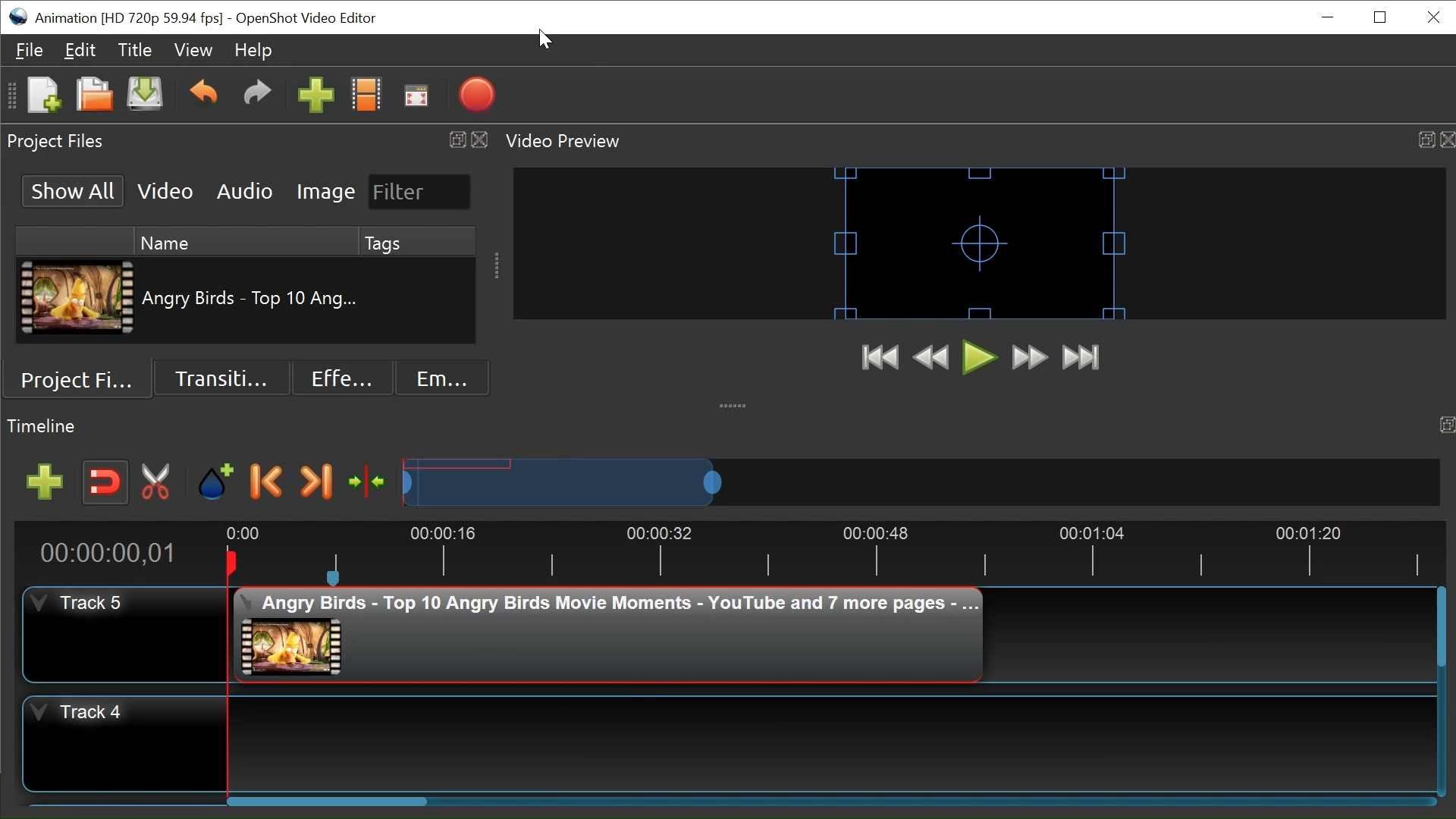 The height and width of the screenshot is (819, 1456). I want to click on File, so click(33, 52).